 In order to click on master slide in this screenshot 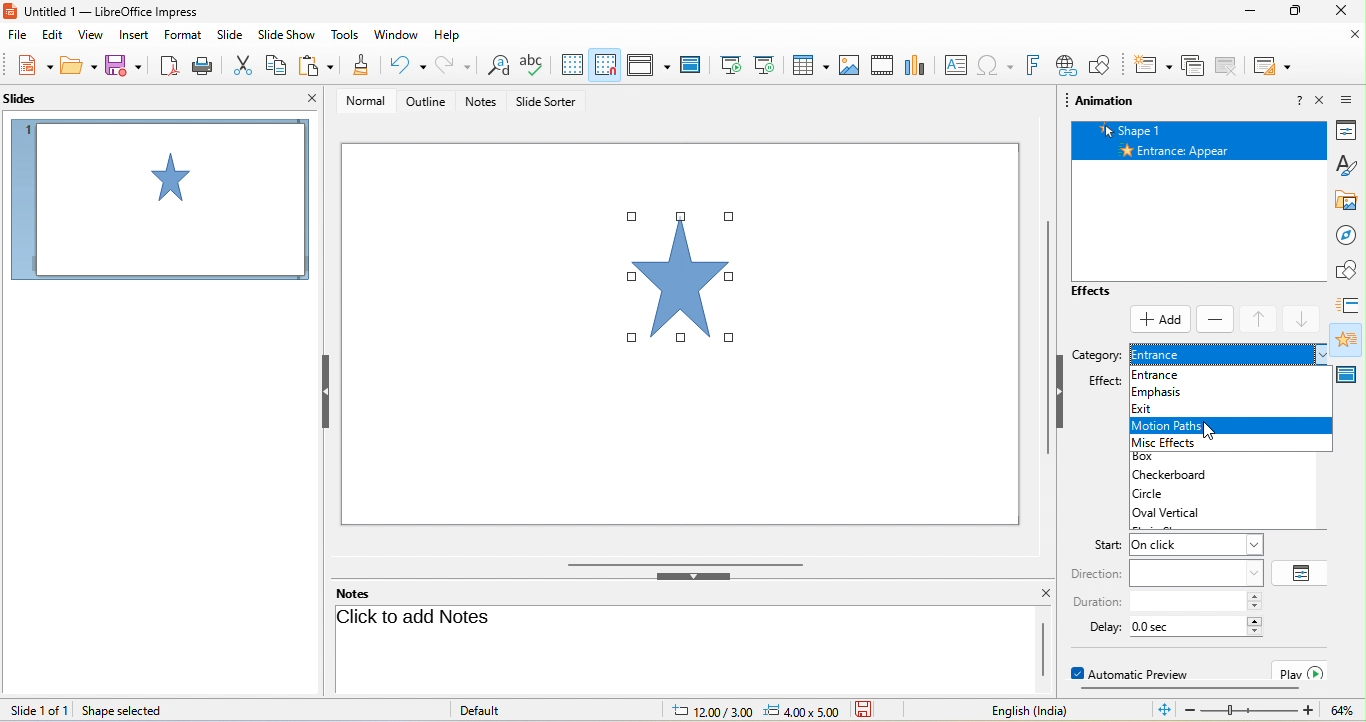, I will do `click(1350, 370)`.